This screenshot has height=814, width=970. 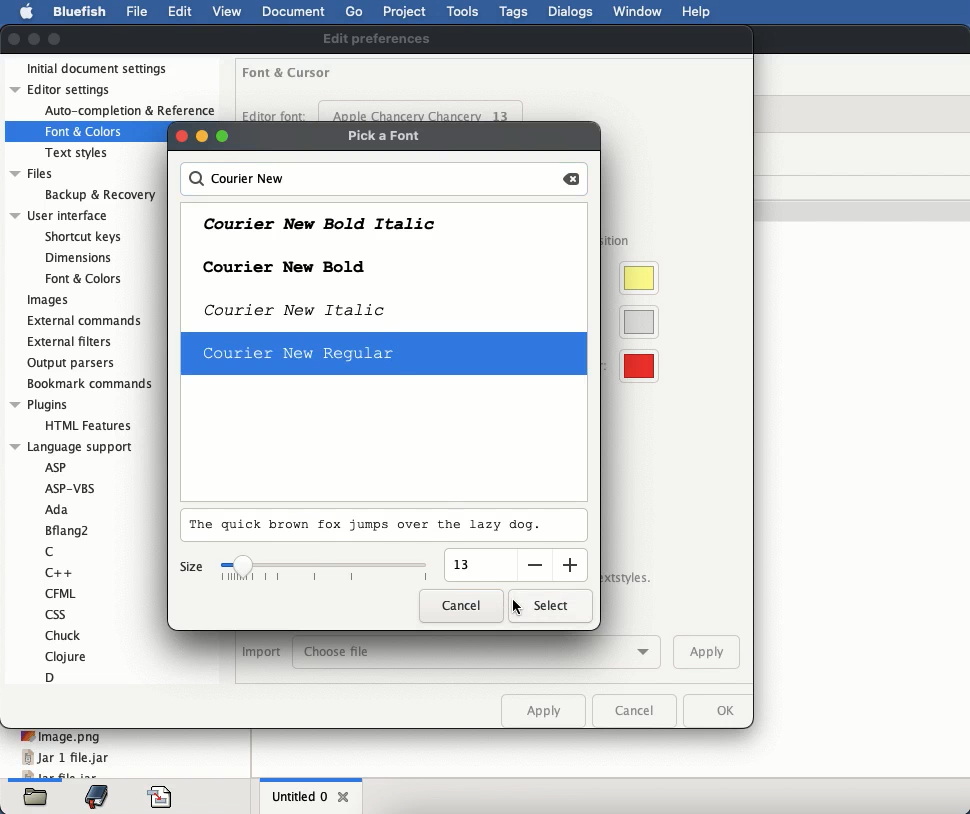 What do you see at coordinates (51, 301) in the screenshot?
I see `images` at bounding box center [51, 301].